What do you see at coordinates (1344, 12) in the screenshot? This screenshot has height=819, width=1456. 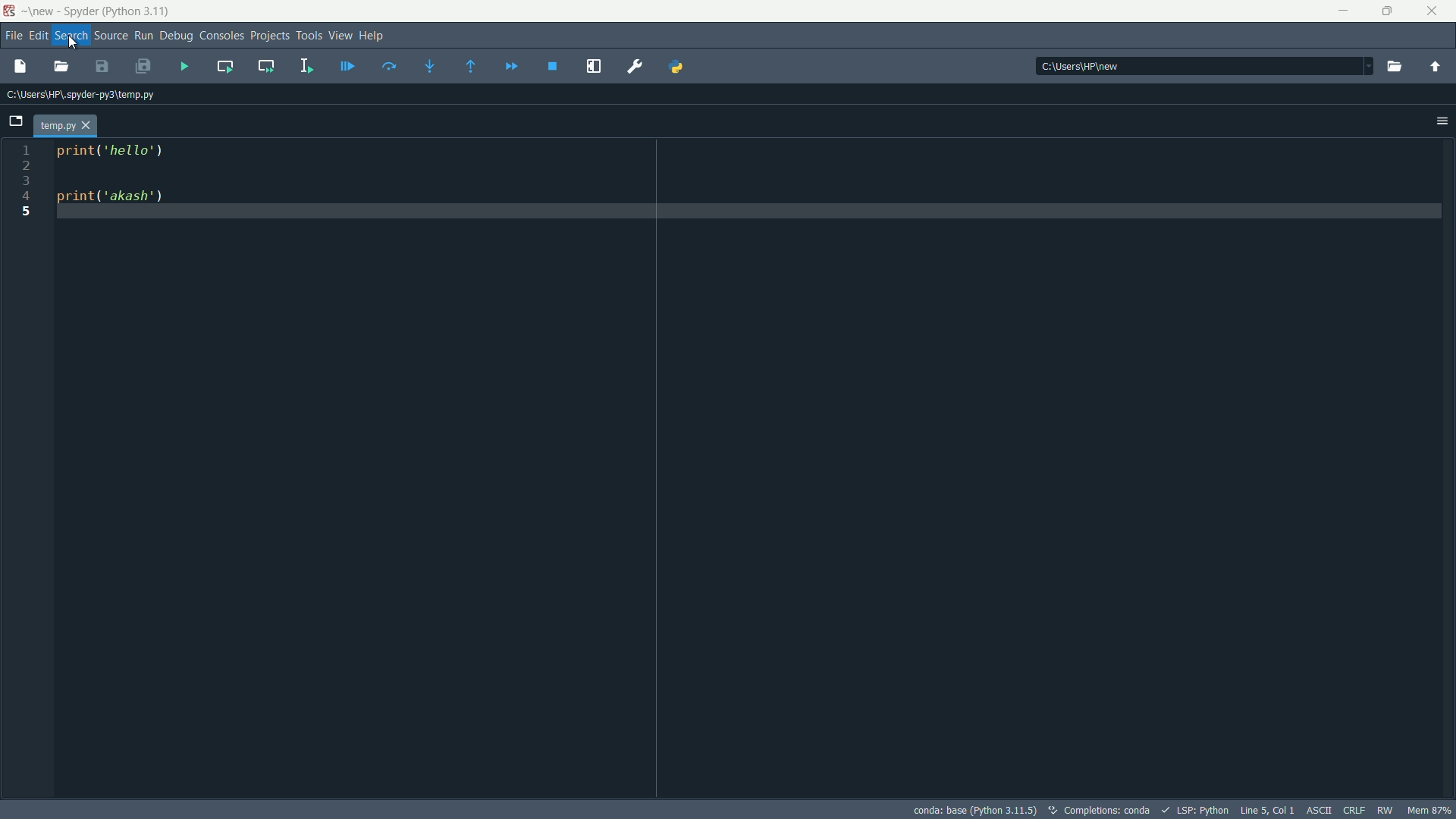 I see `minimum` at bounding box center [1344, 12].